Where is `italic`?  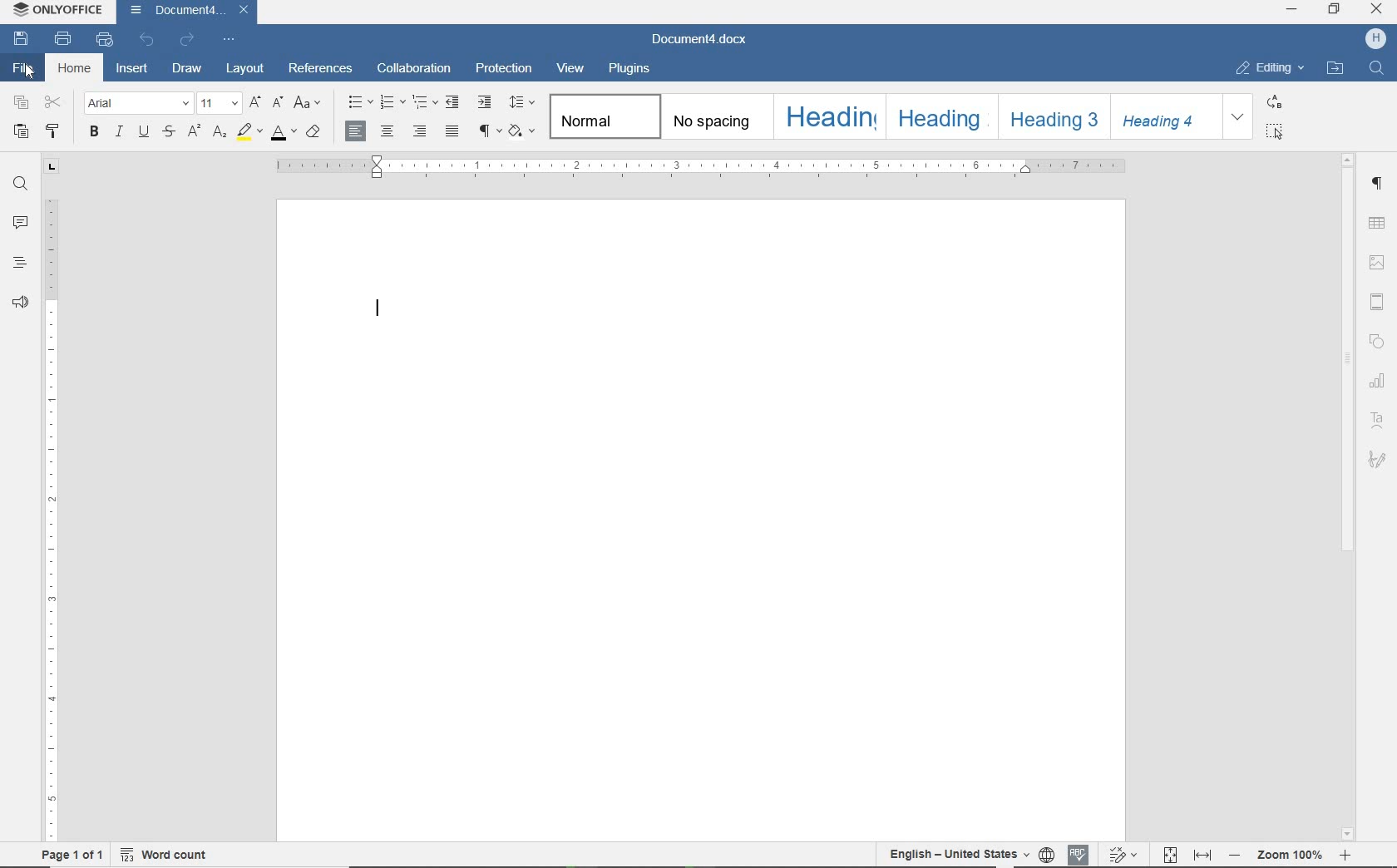
italic is located at coordinates (119, 133).